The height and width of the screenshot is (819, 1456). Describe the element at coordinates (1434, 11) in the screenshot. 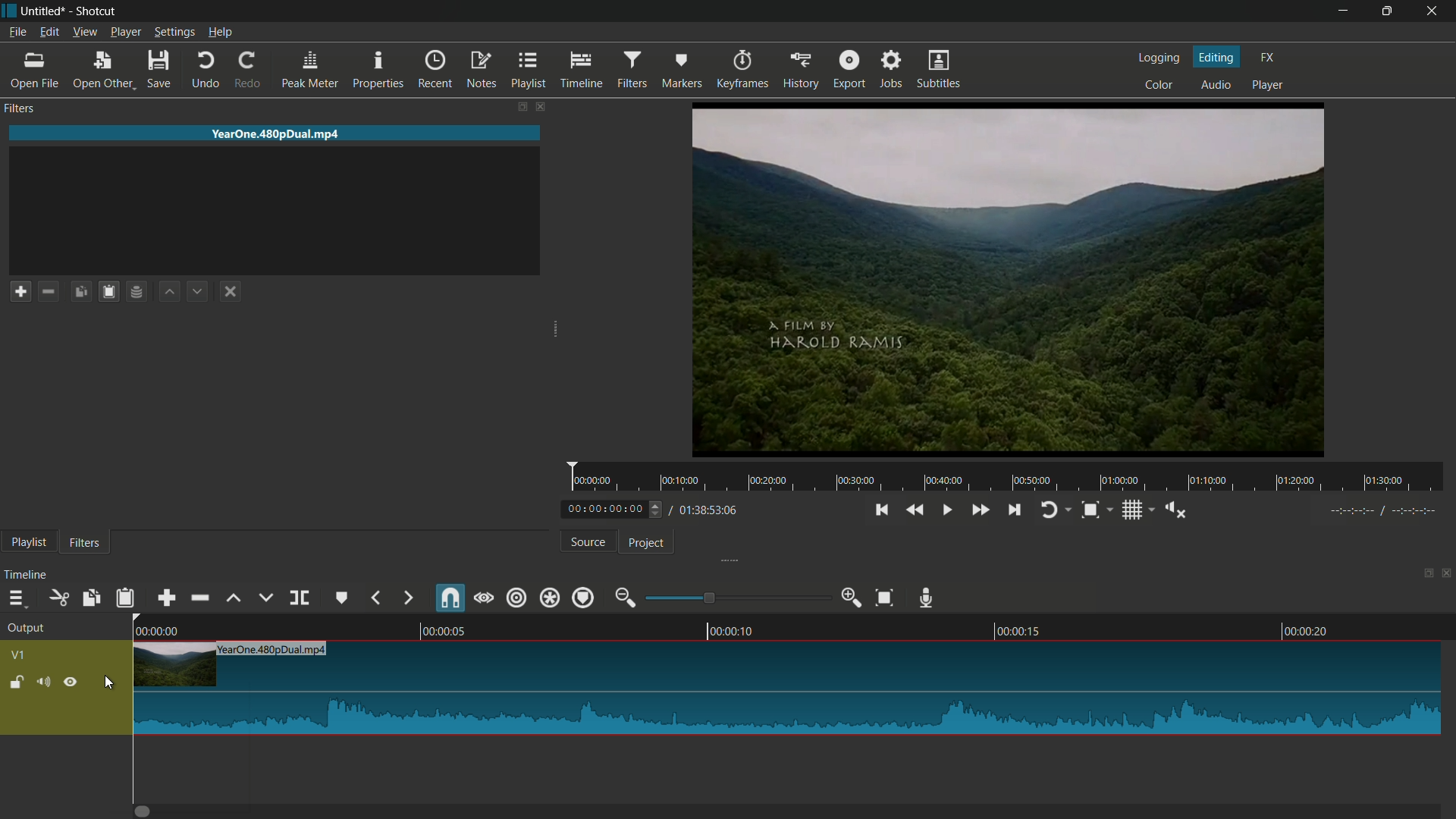

I see `close app` at that location.